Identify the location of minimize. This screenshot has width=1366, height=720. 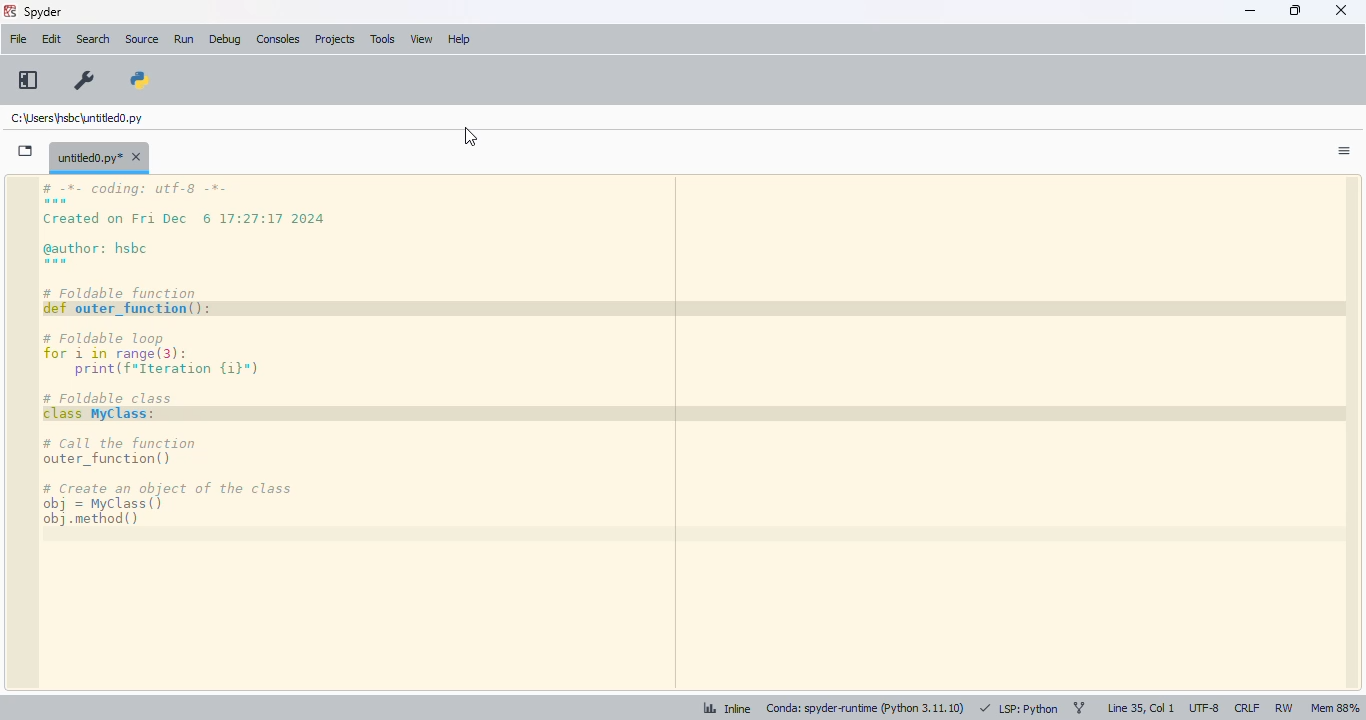
(1251, 11).